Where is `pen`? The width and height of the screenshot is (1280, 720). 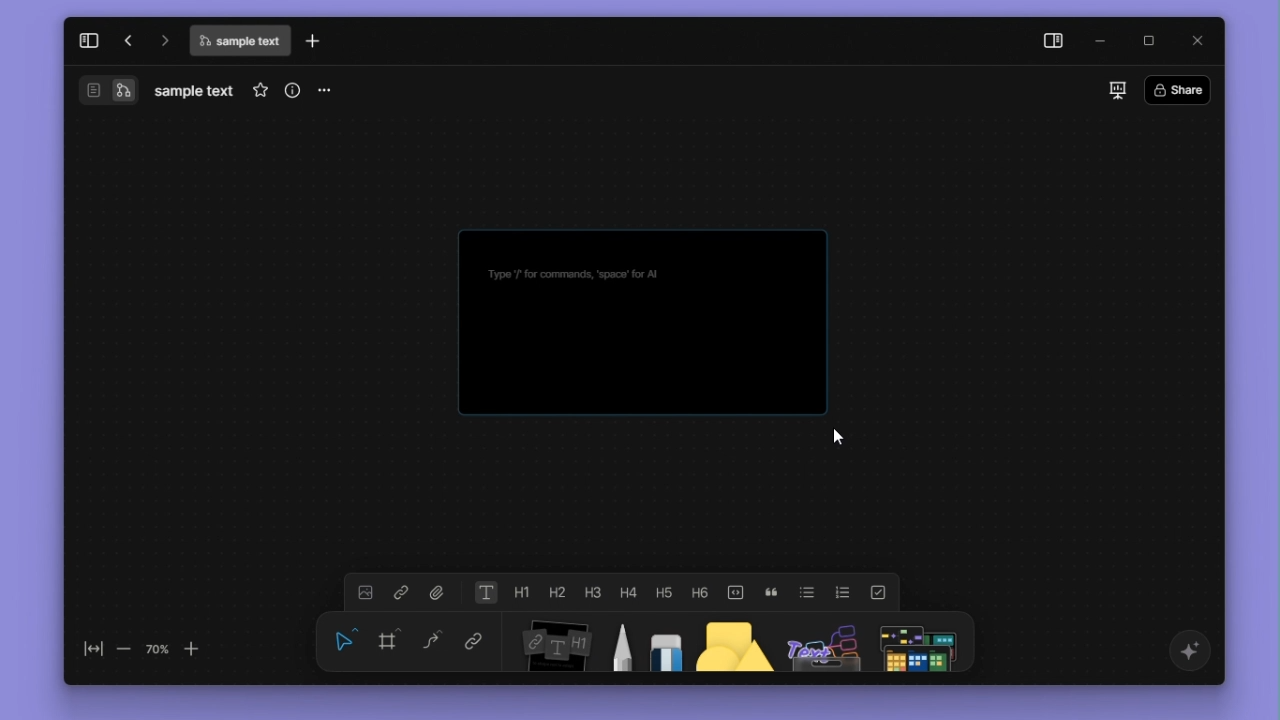 pen is located at coordinates (618, 644).